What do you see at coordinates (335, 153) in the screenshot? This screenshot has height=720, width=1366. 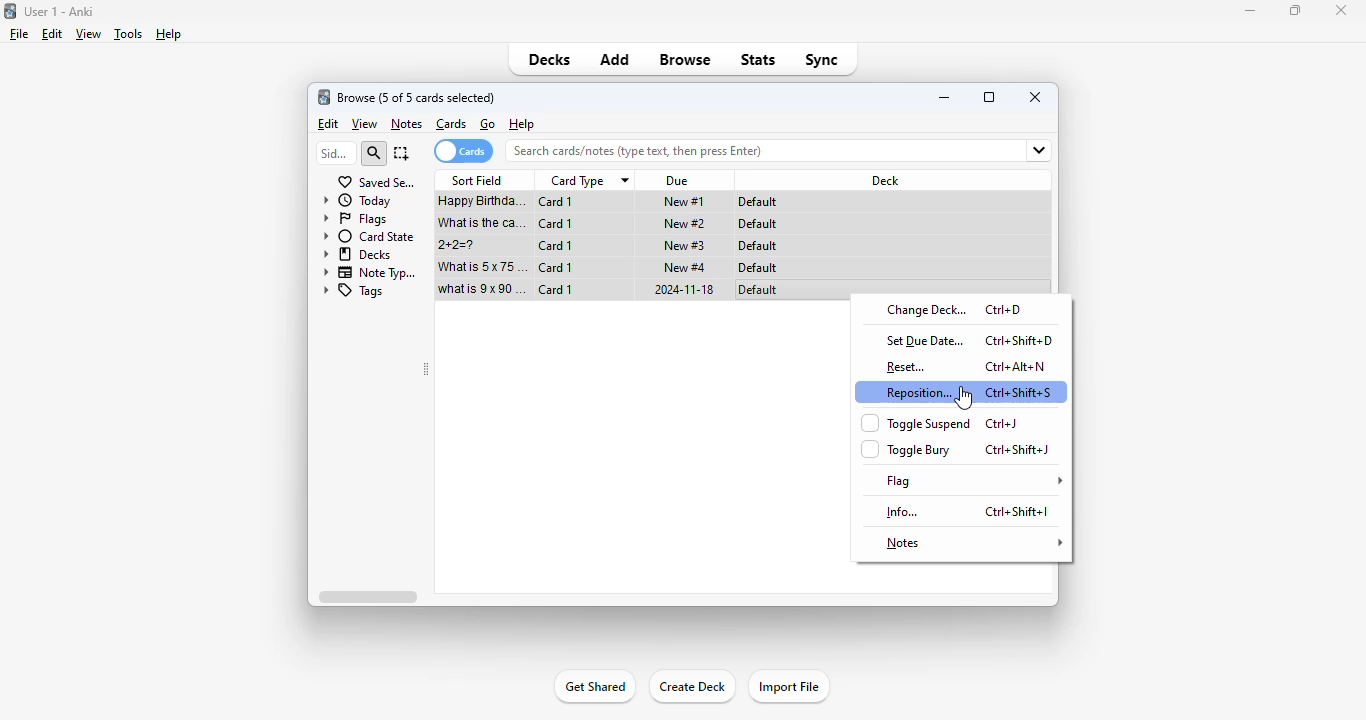 I see `sidebar filter` at bounding box center [335, 153].